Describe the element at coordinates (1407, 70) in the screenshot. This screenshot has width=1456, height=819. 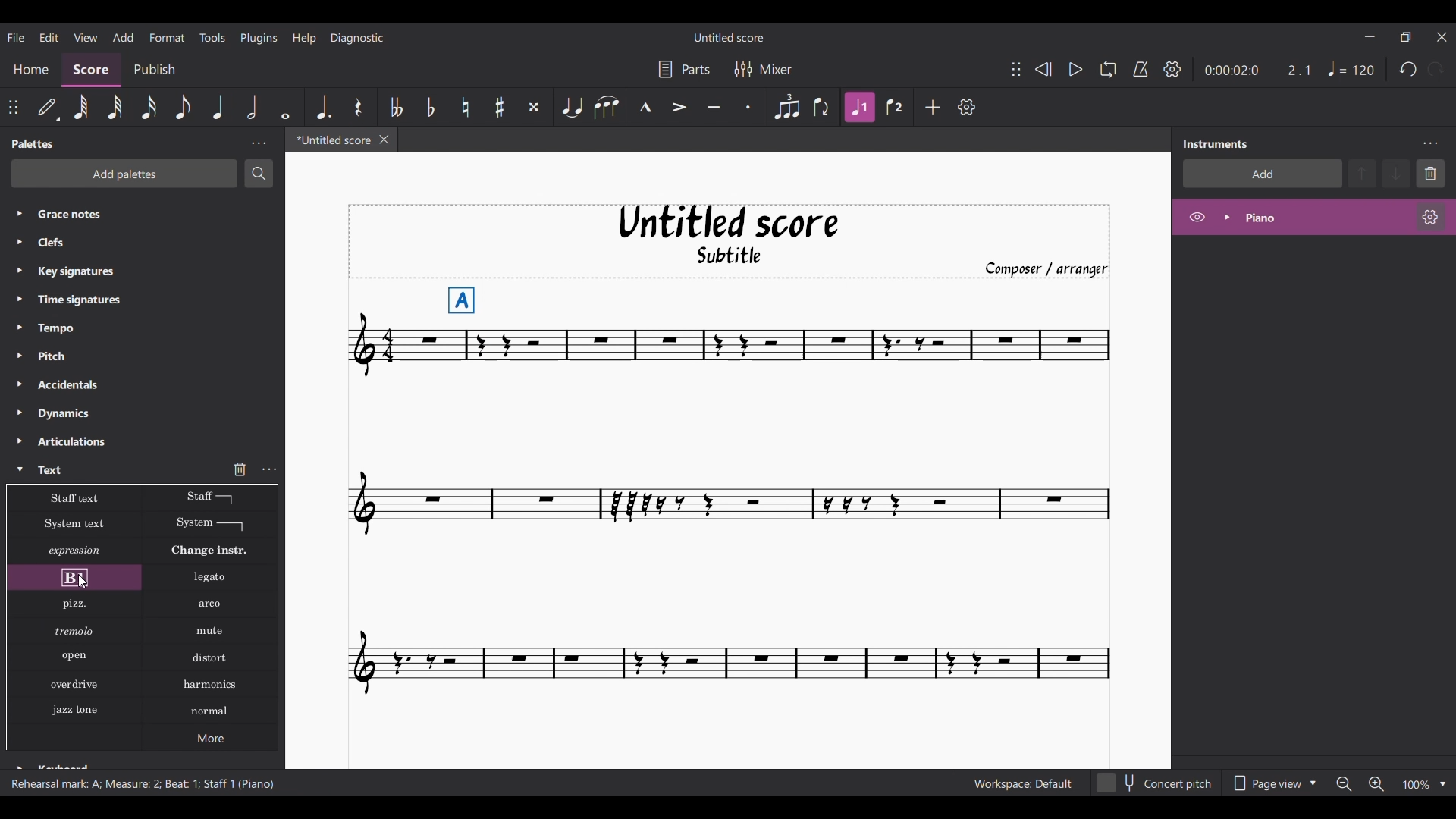
I see `Undo` at that location.